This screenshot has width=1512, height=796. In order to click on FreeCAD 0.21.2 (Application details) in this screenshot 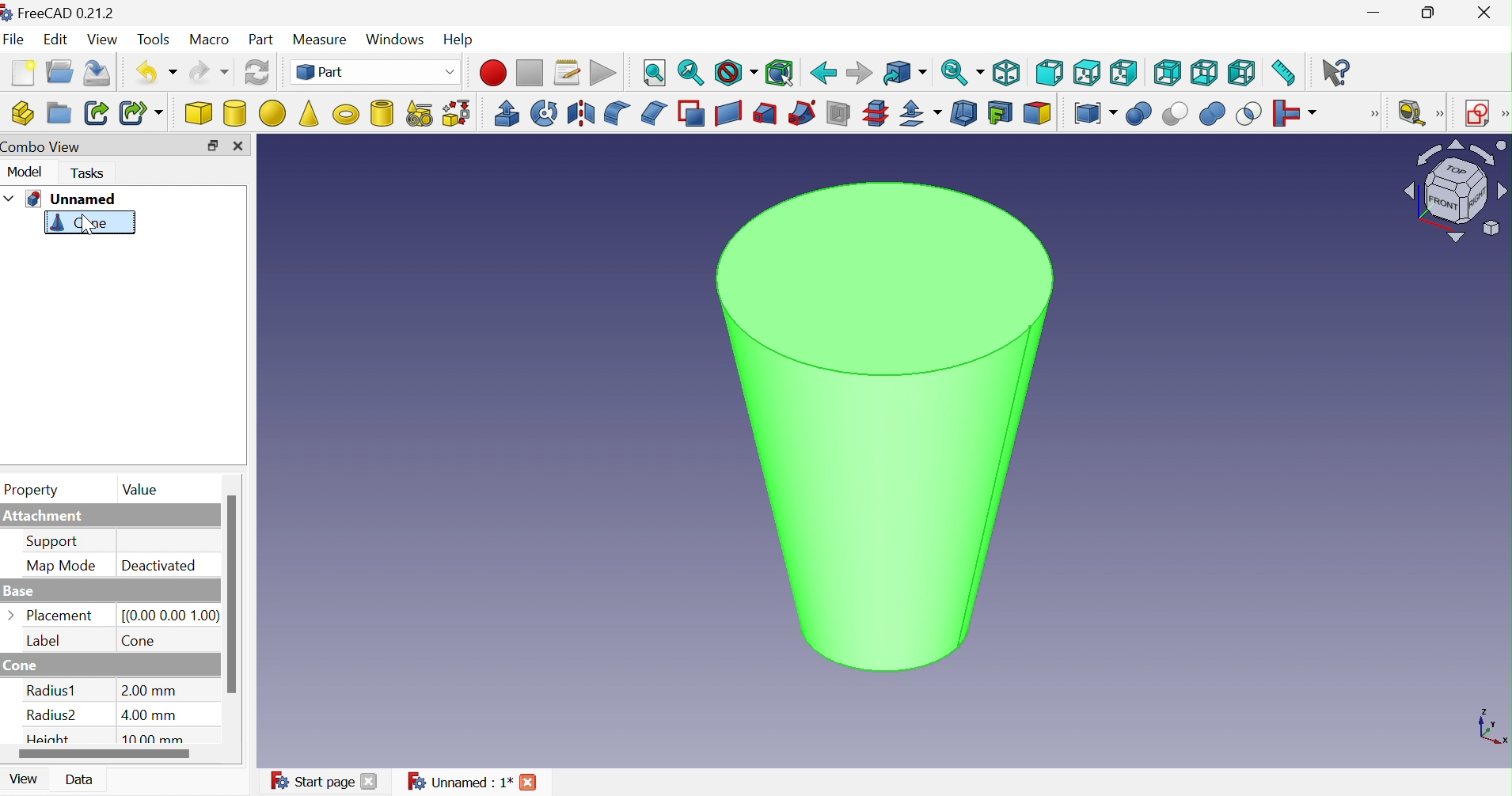, I will do `click(59, 13)`.